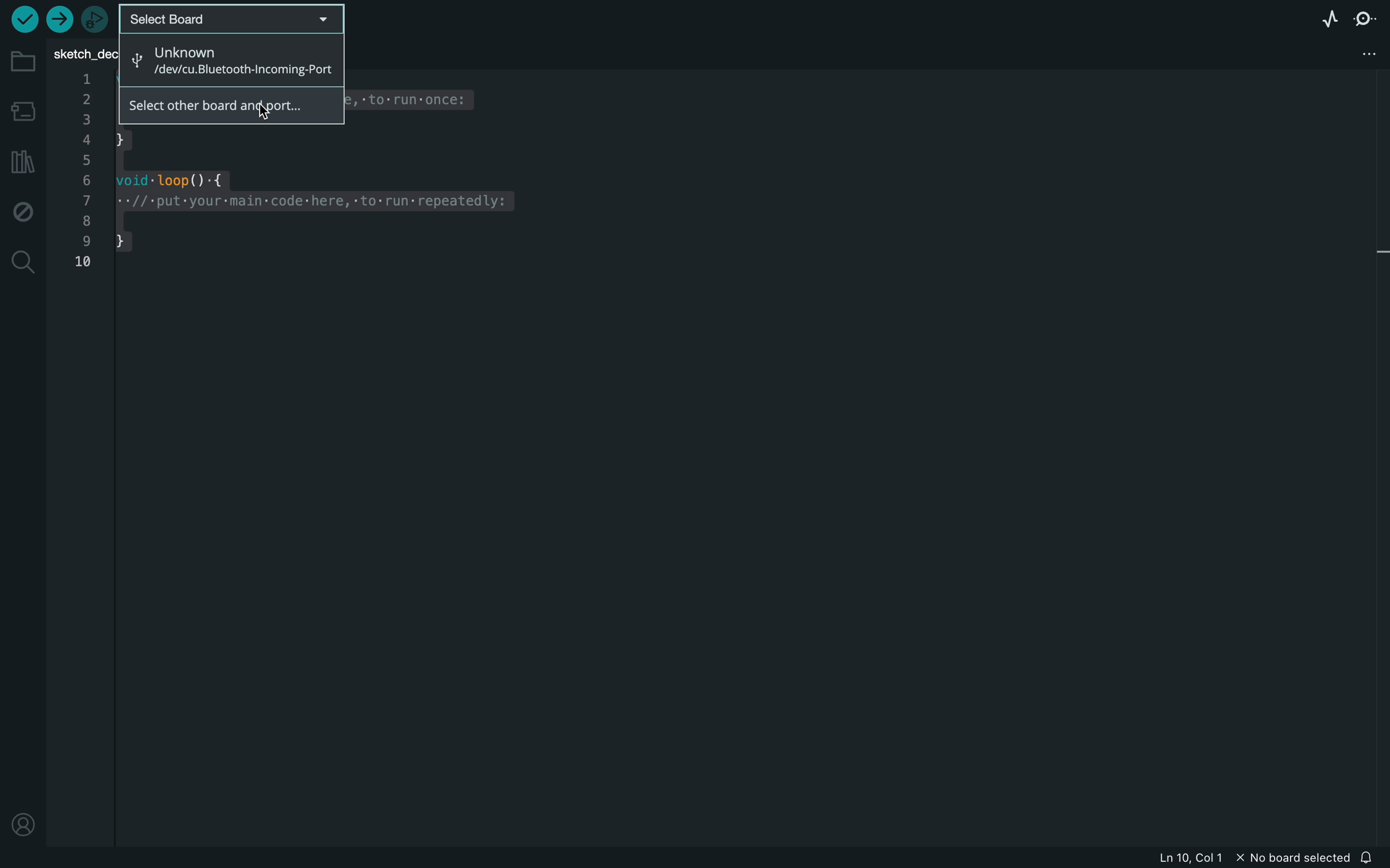 The image size is (1390, 868). I want to click on file information, so click(1252, 857).